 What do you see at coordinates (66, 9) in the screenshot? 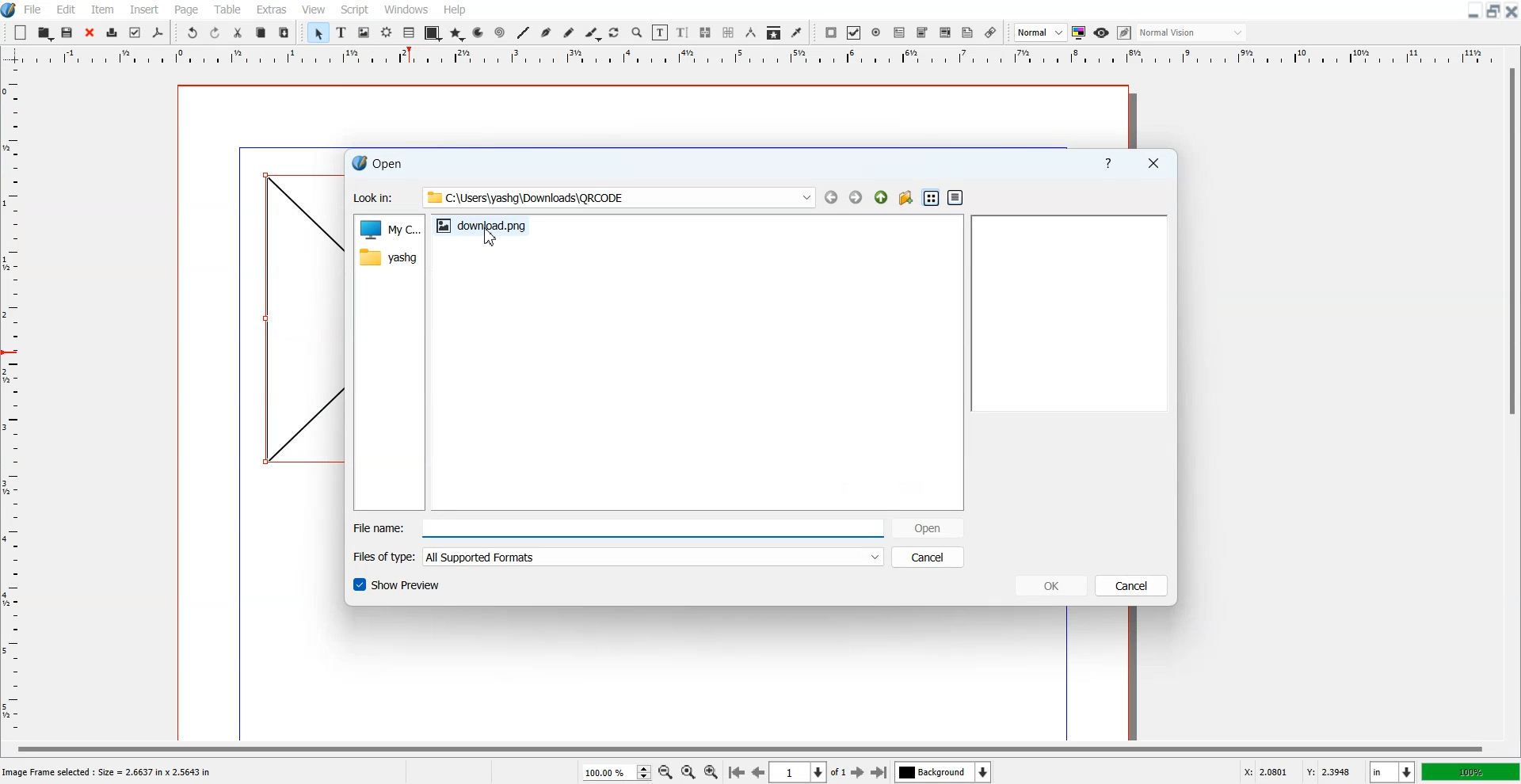
I see `Edit` at bounding box center [66, 9].